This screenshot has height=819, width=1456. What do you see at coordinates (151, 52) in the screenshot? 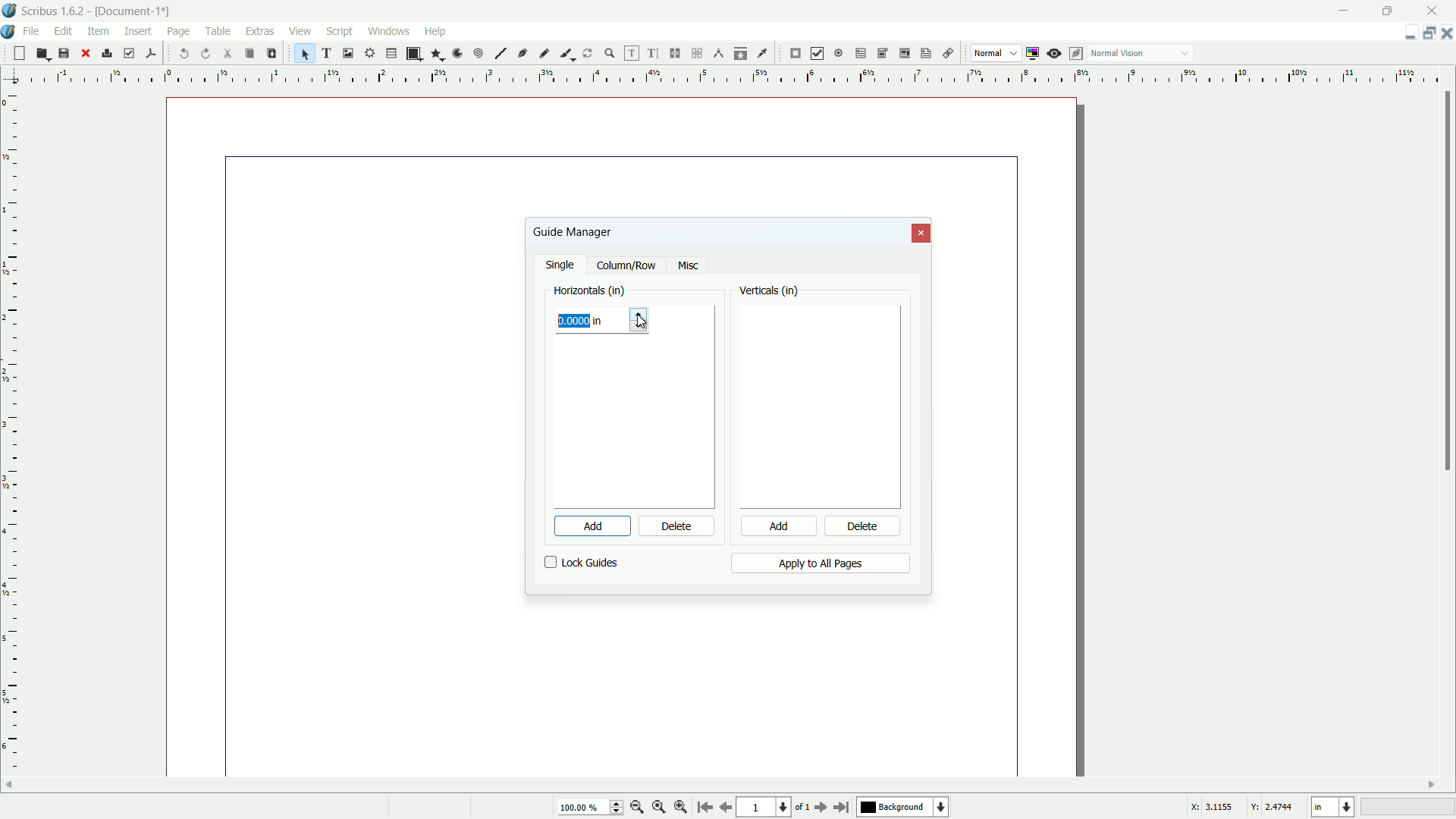
I see `save as pdf` at bounding box center [151, 52].